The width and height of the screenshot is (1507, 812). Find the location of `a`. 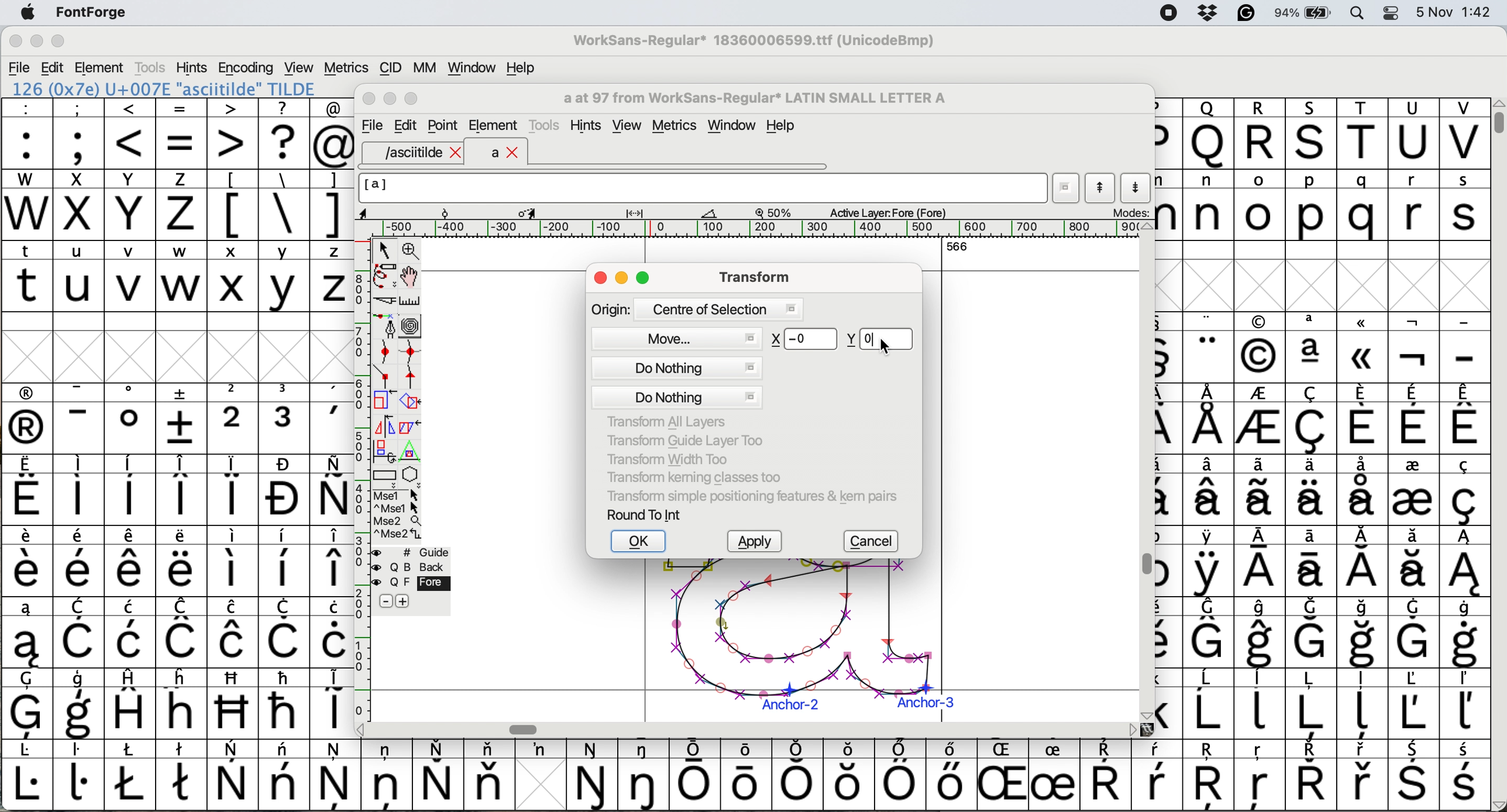

a is located at coordinates (505, 153).